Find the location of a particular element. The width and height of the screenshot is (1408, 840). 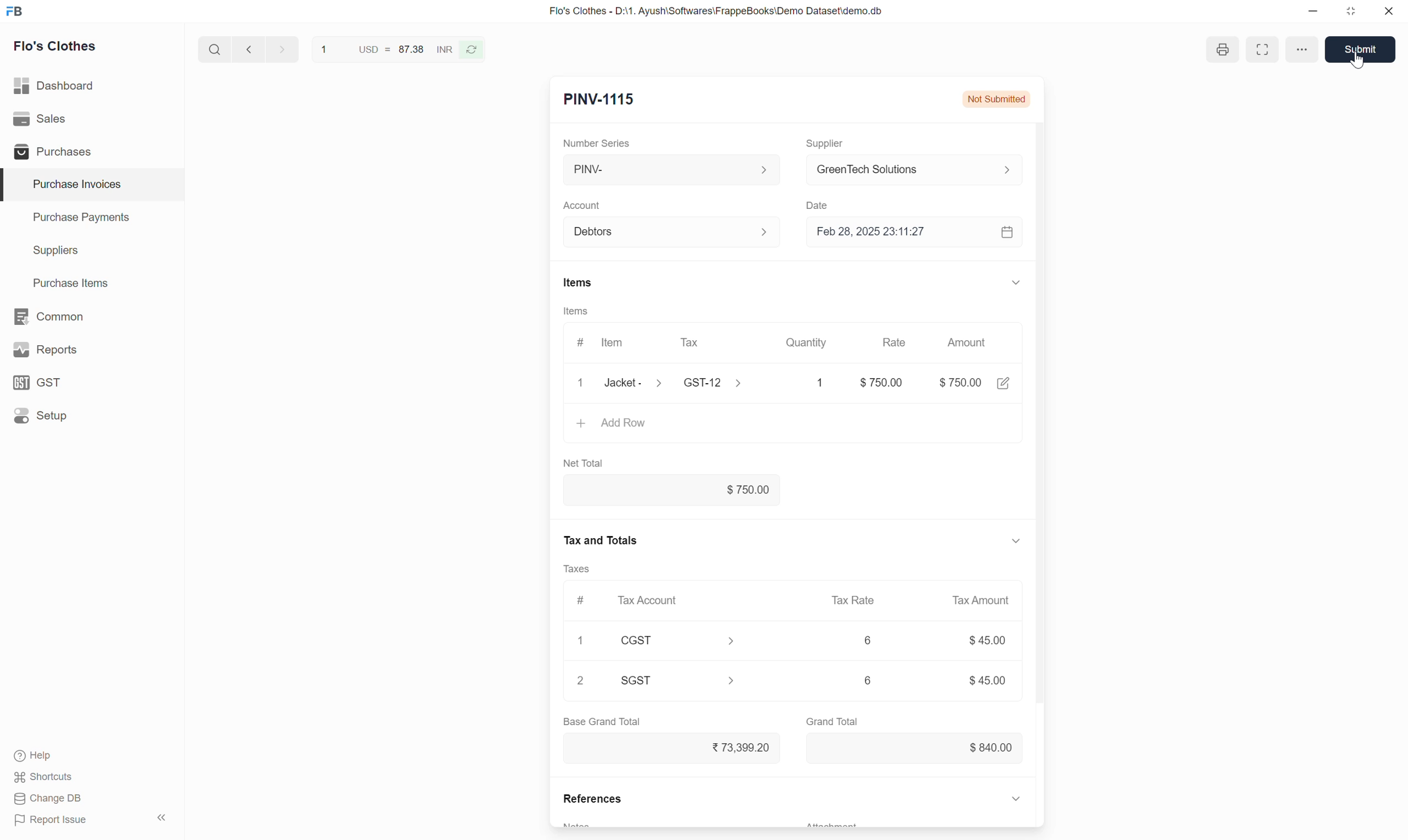

Shortcuts is located at coordinates (45, 777).